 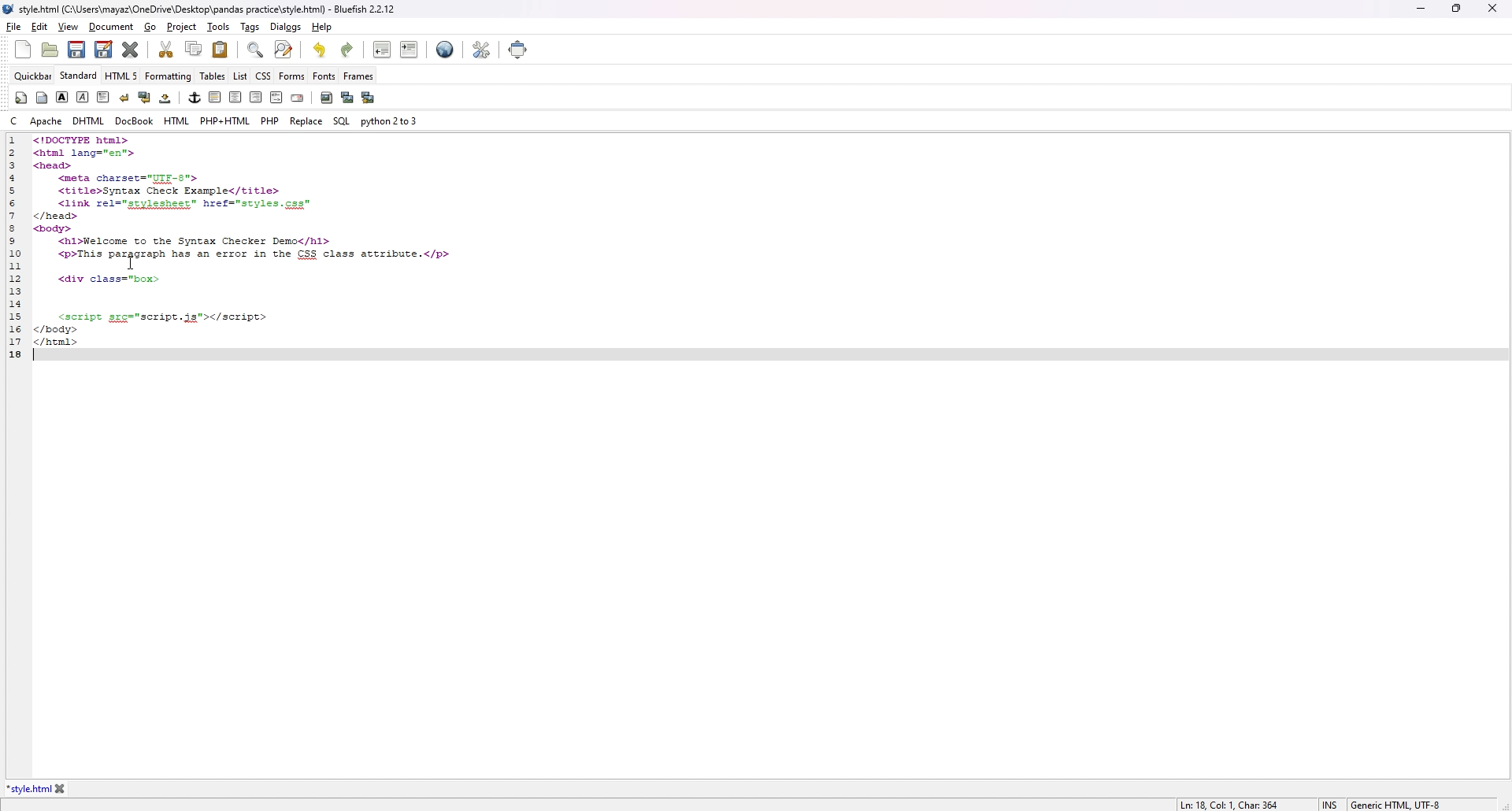 What do you see at coordinates (122, 76) in the screenshot?
I see `html 5` at bounding box center [122, 76].